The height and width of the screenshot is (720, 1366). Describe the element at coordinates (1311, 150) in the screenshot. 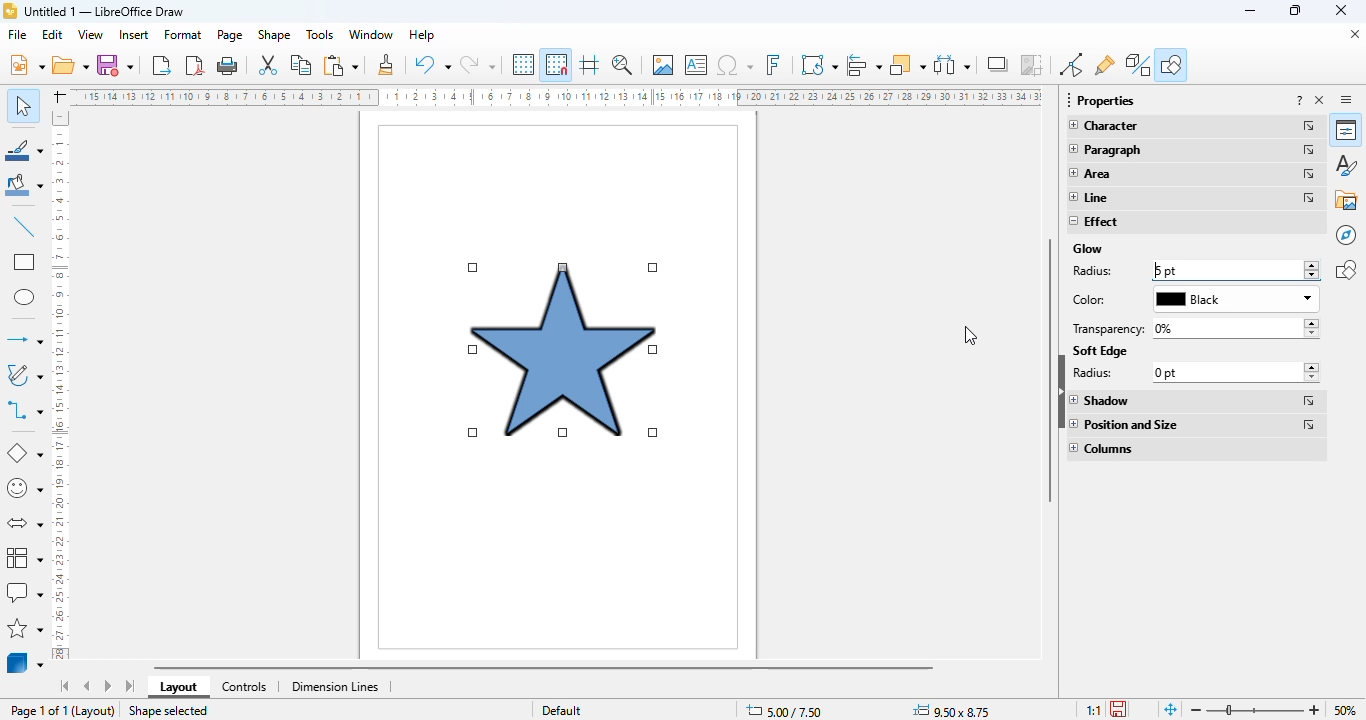

I see `more options` at that location.